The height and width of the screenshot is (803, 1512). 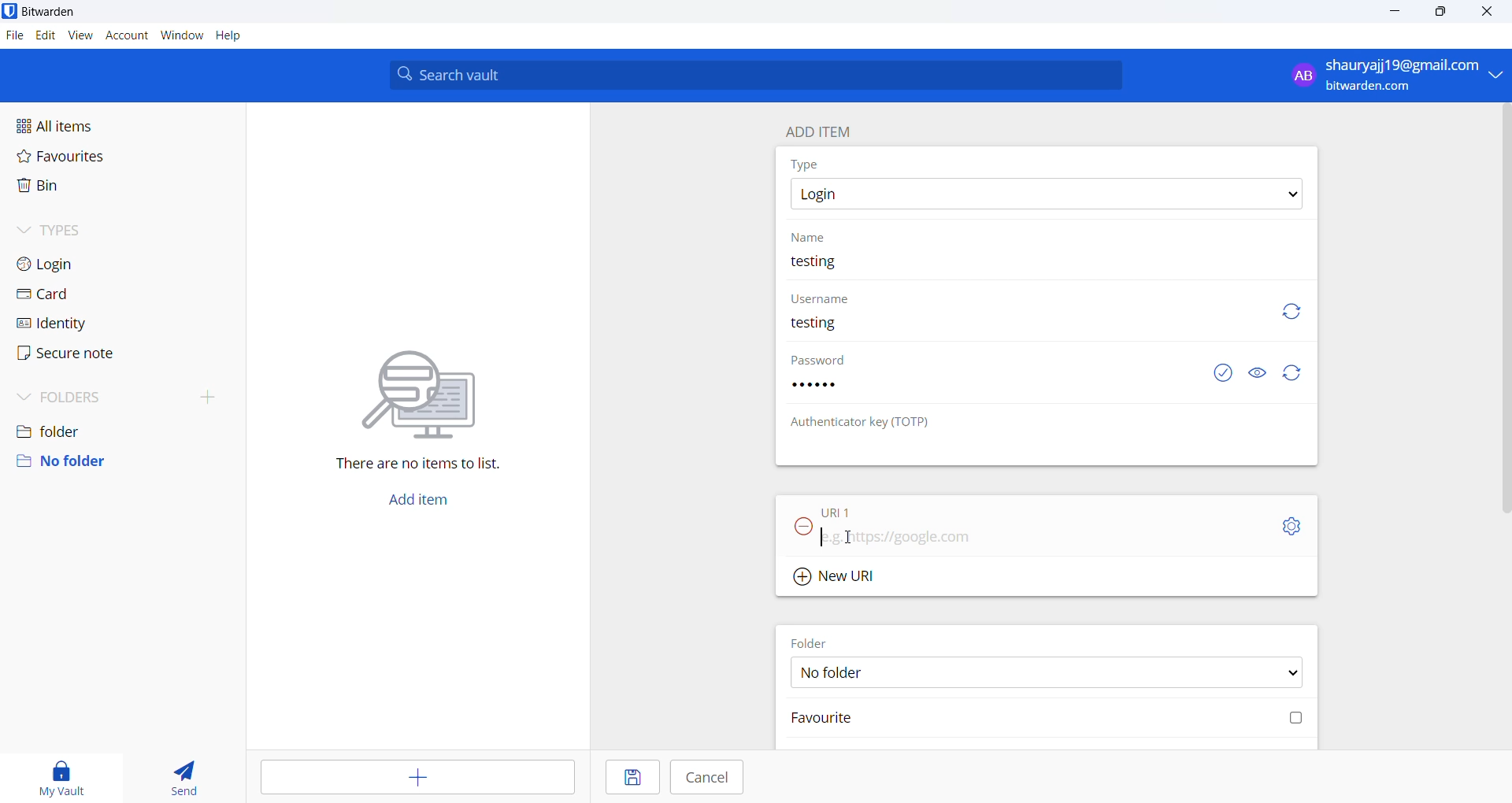 What do you see at coordinates (78, 36) in the screenshot?
I see `view` at bounding box center [78, 36].